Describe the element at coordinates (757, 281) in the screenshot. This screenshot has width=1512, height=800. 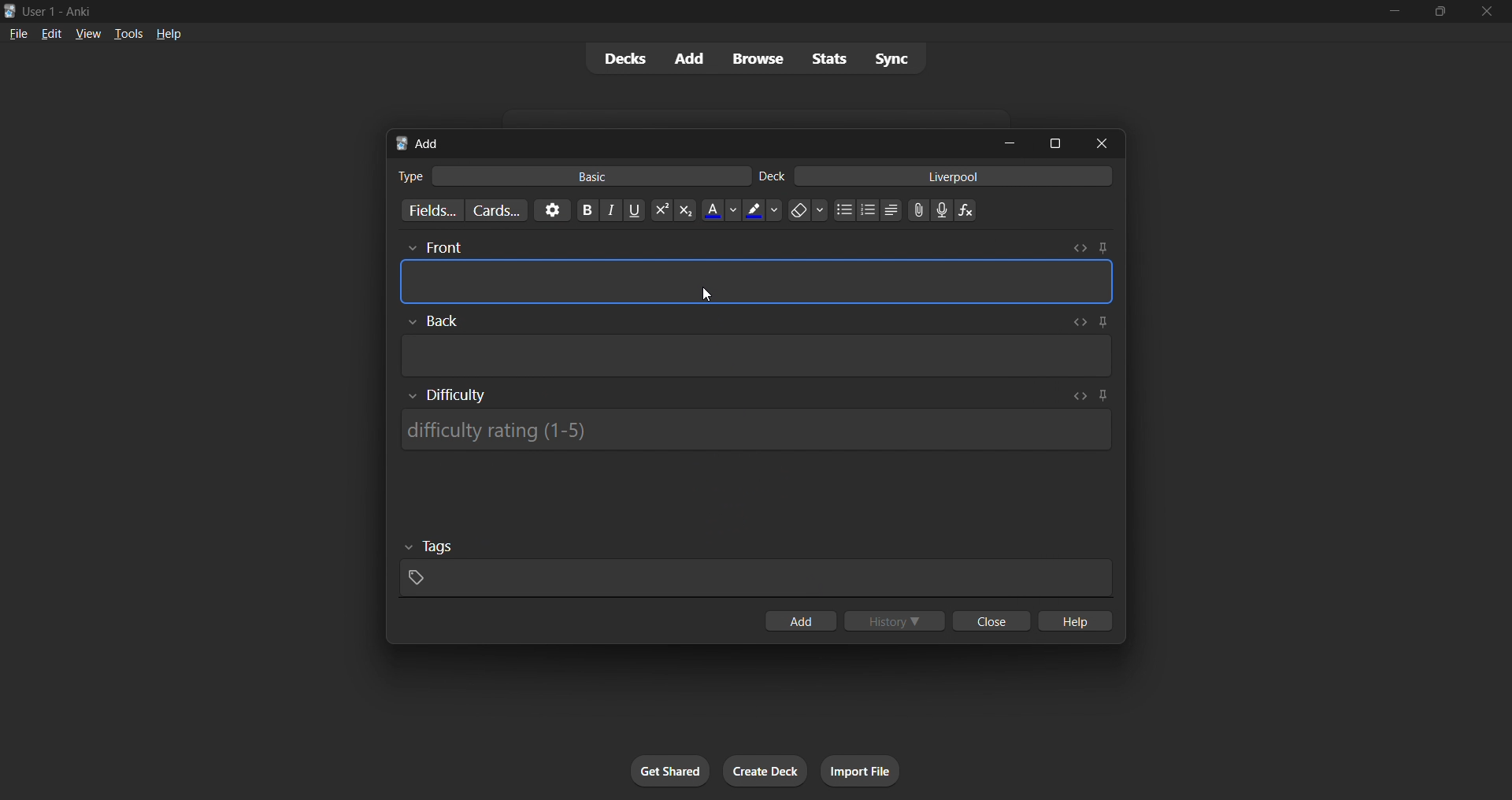
I see `card front field input box` at that location.